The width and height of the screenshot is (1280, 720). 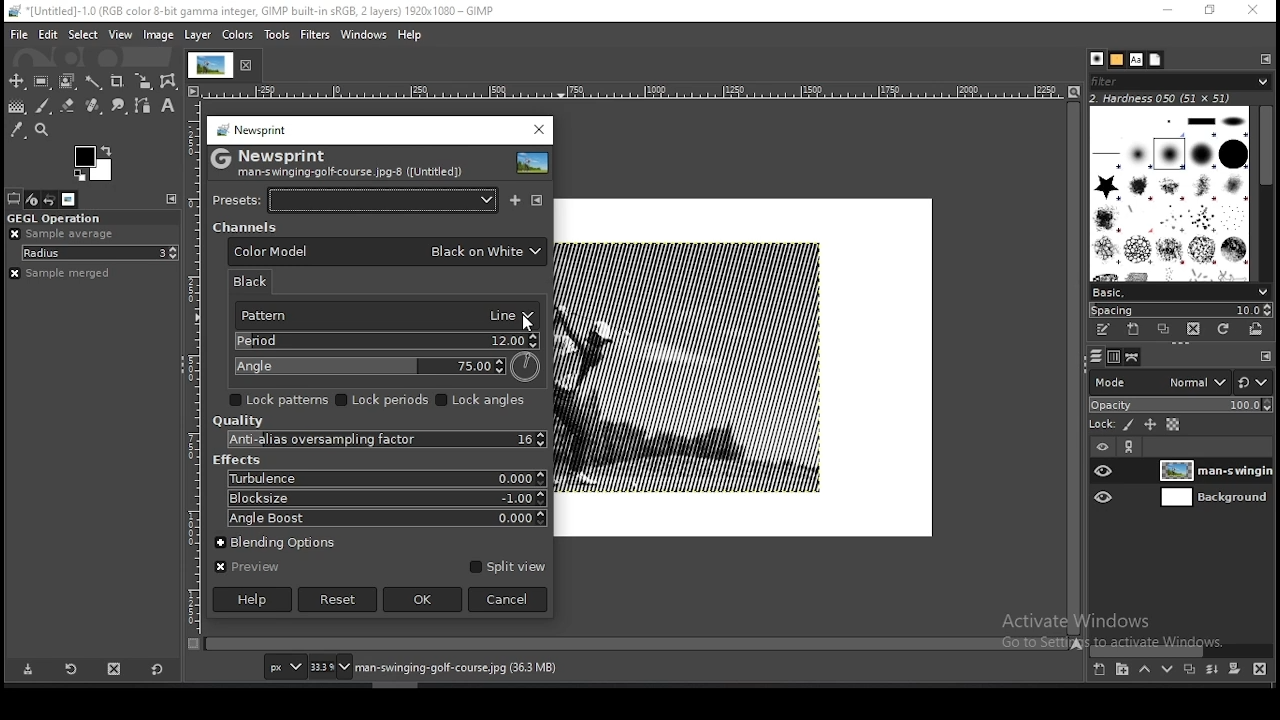 I want to click on layer visibility on/off, so click(x=1103, y=497).